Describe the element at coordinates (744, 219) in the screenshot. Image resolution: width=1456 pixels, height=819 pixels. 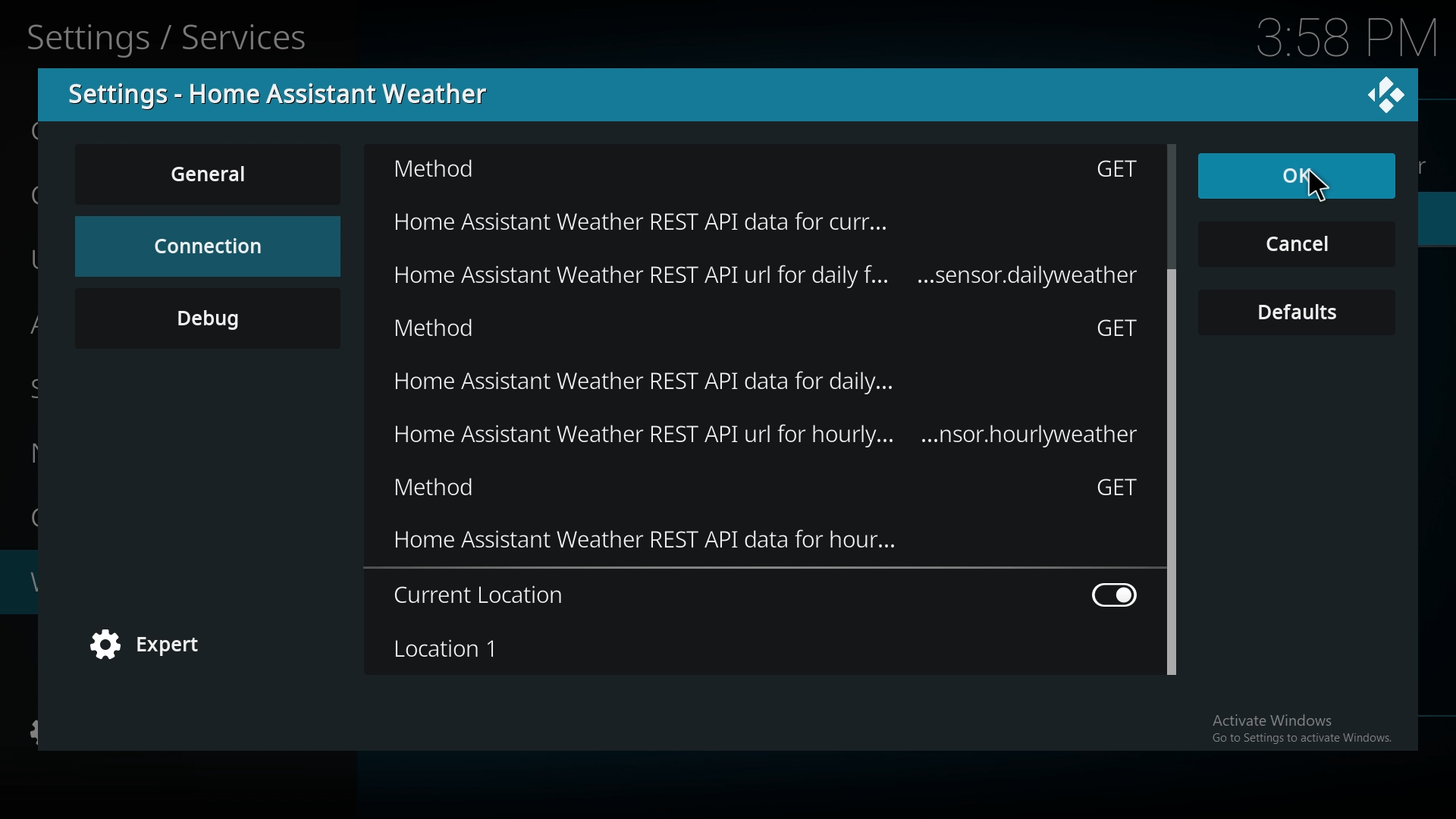
I see `Home assistant weather rest API data for curr..` at that location.